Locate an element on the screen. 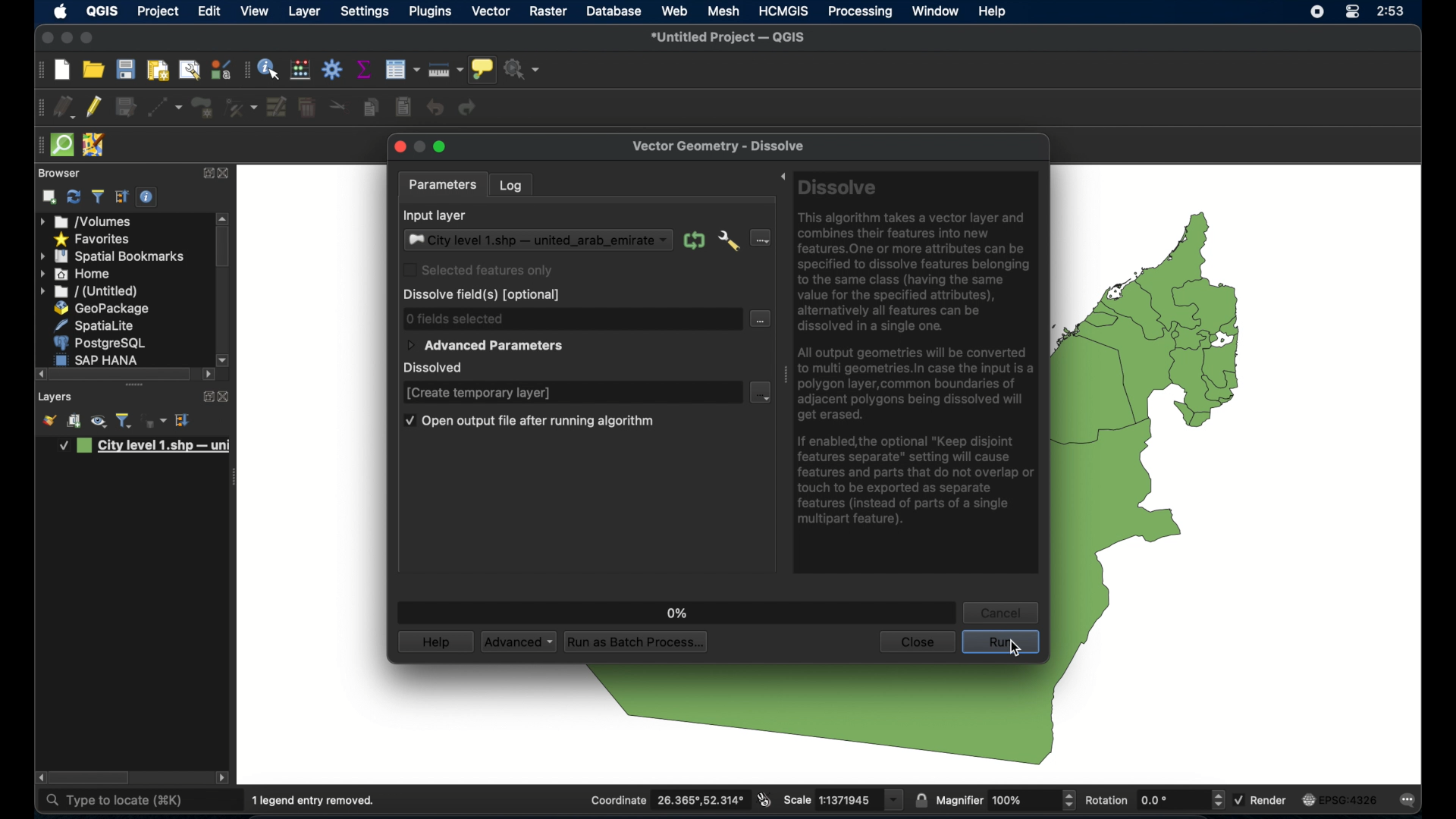 The width and height of the screenshot is (1456, 819). advanced parameters is located at coordinates (485, 346).